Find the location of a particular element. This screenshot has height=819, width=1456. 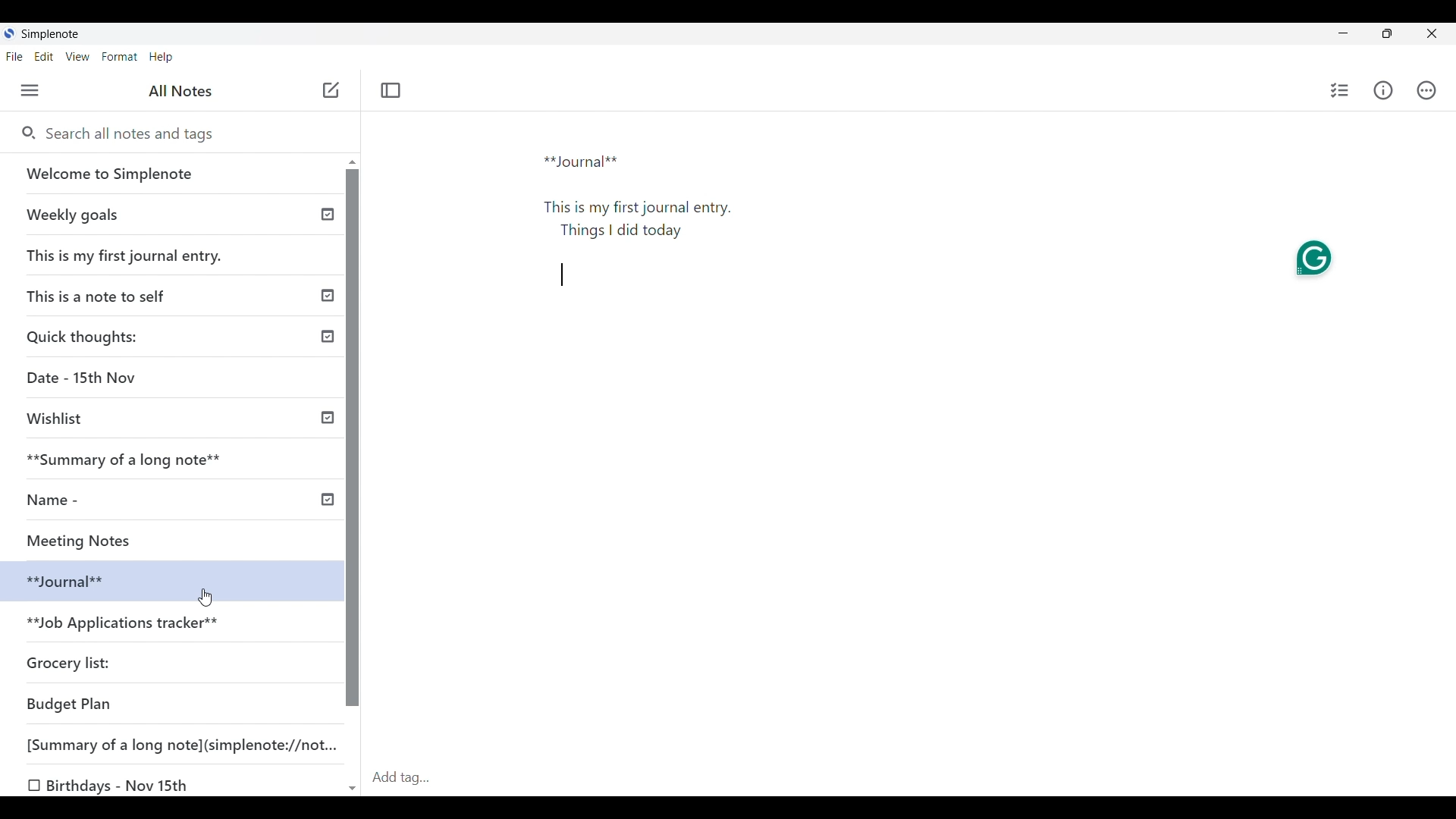

Name - is located at coordinates (58, 500).